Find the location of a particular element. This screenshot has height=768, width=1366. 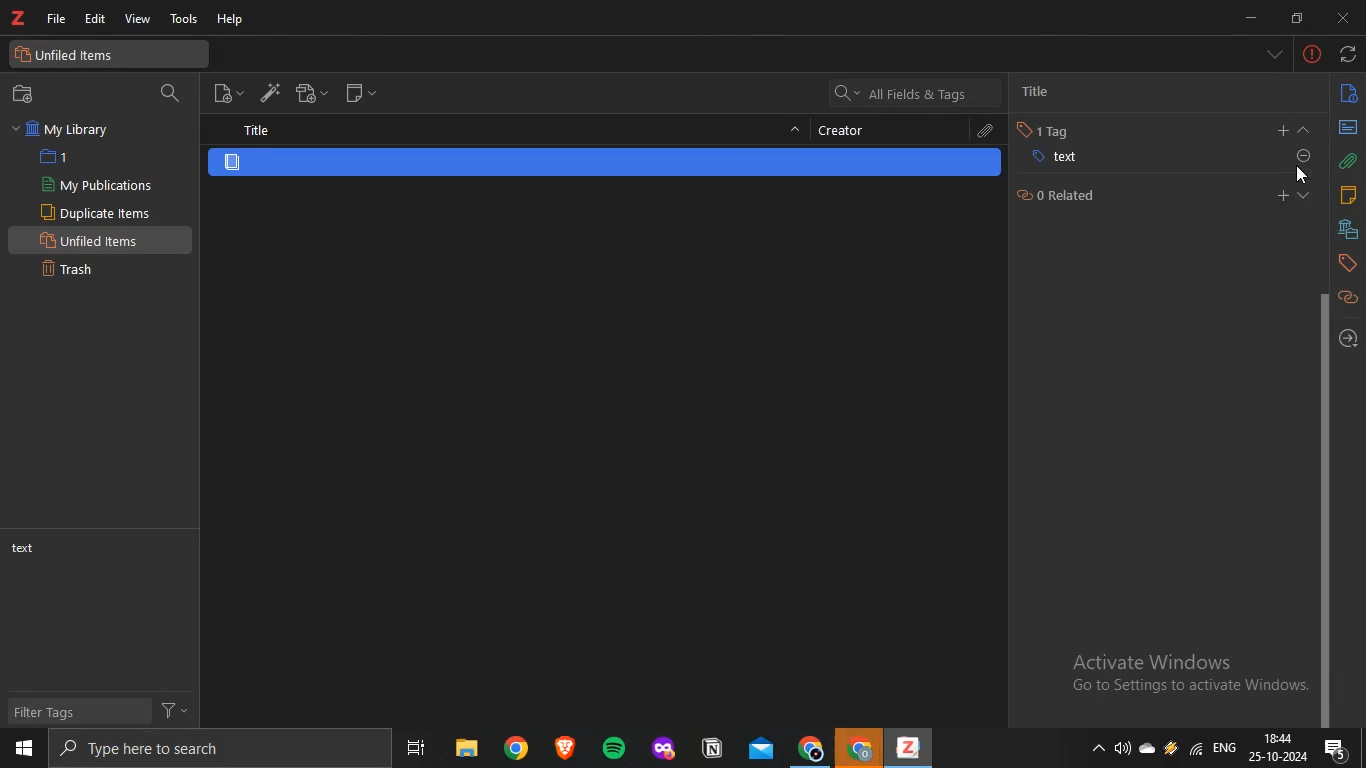

related is located at coordinates (1350, 296).